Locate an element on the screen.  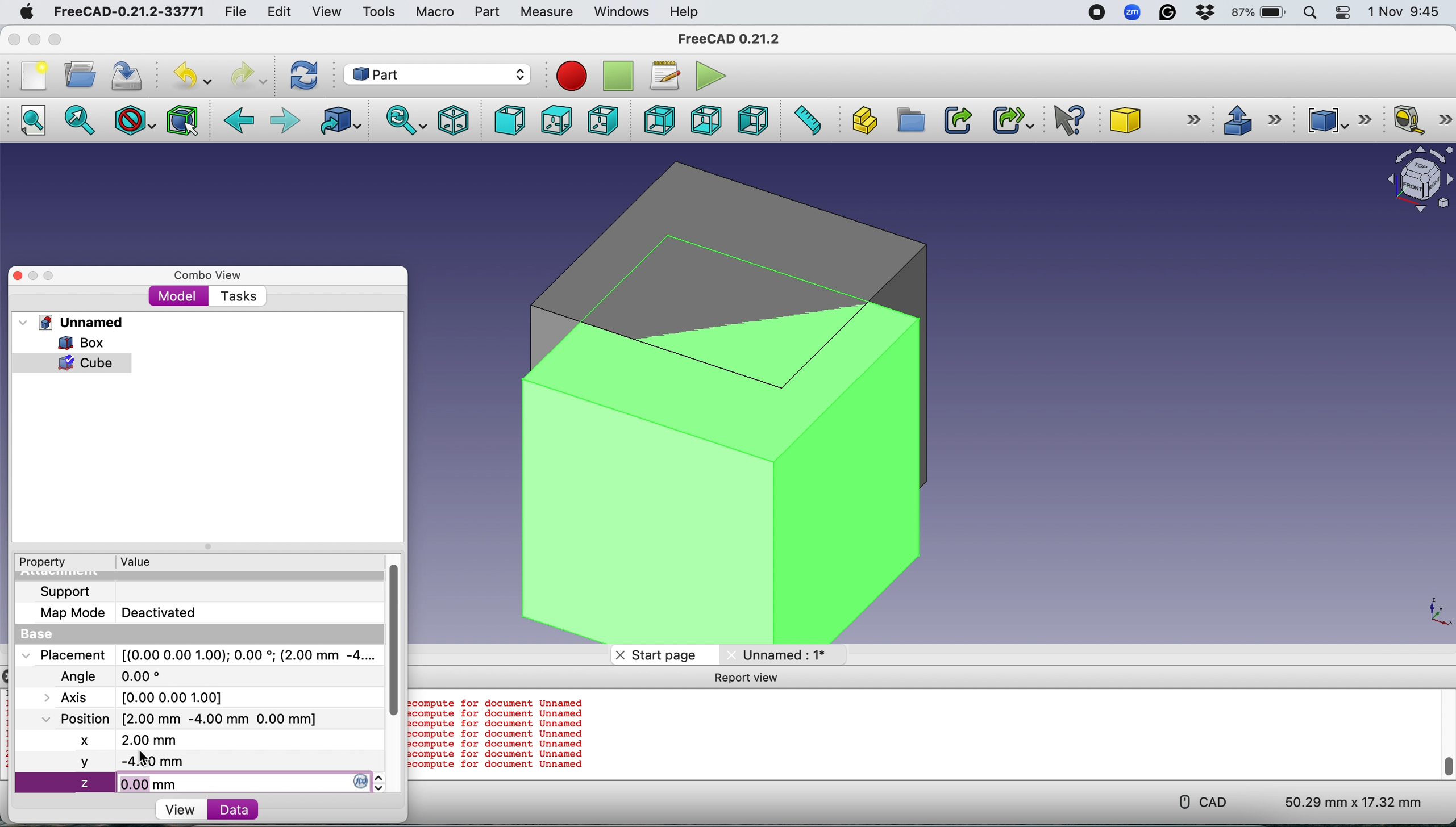
Property is located at coordinates (37, 562).